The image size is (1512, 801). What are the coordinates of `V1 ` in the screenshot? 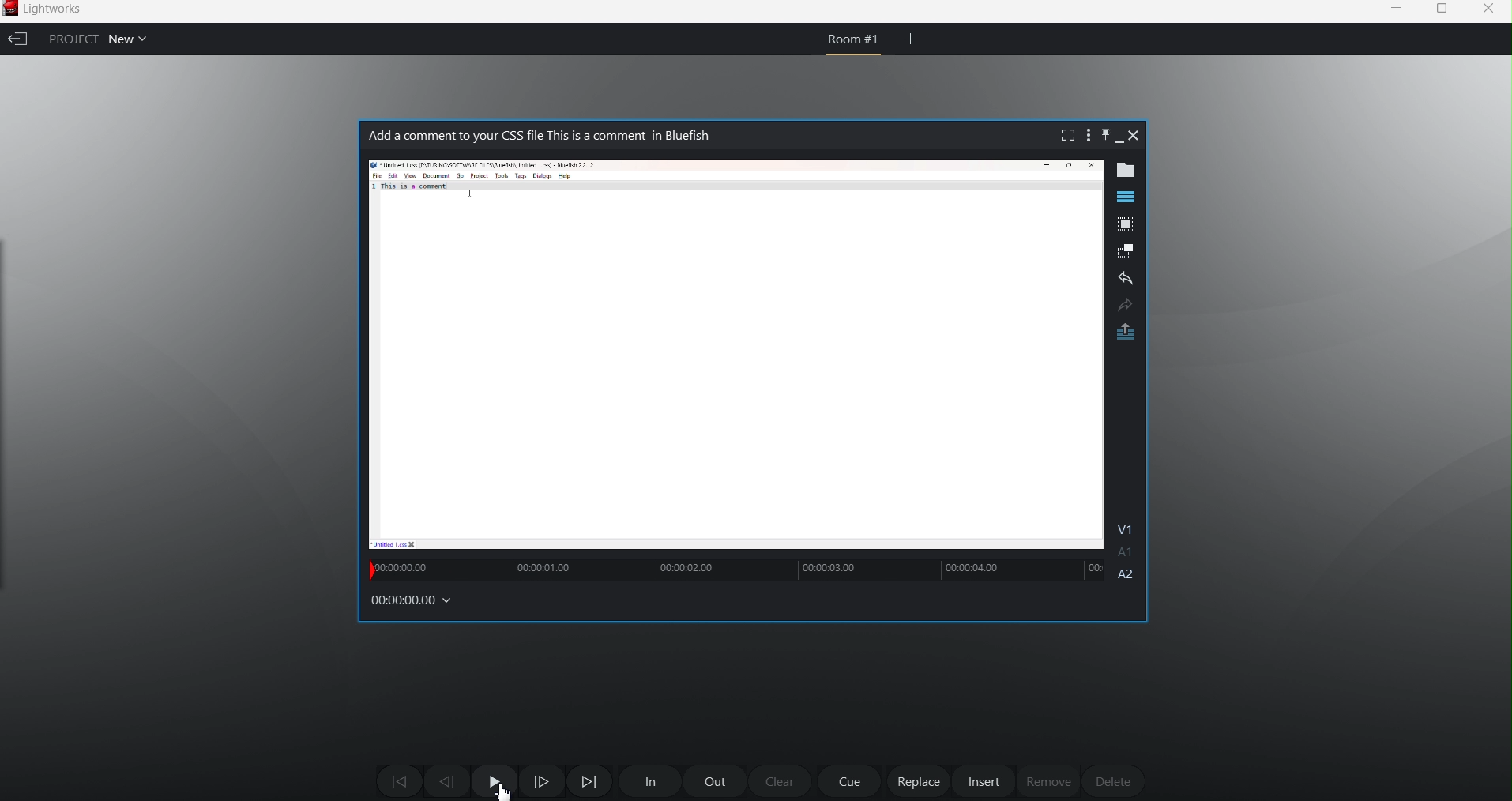 It's located at (1127, 527).